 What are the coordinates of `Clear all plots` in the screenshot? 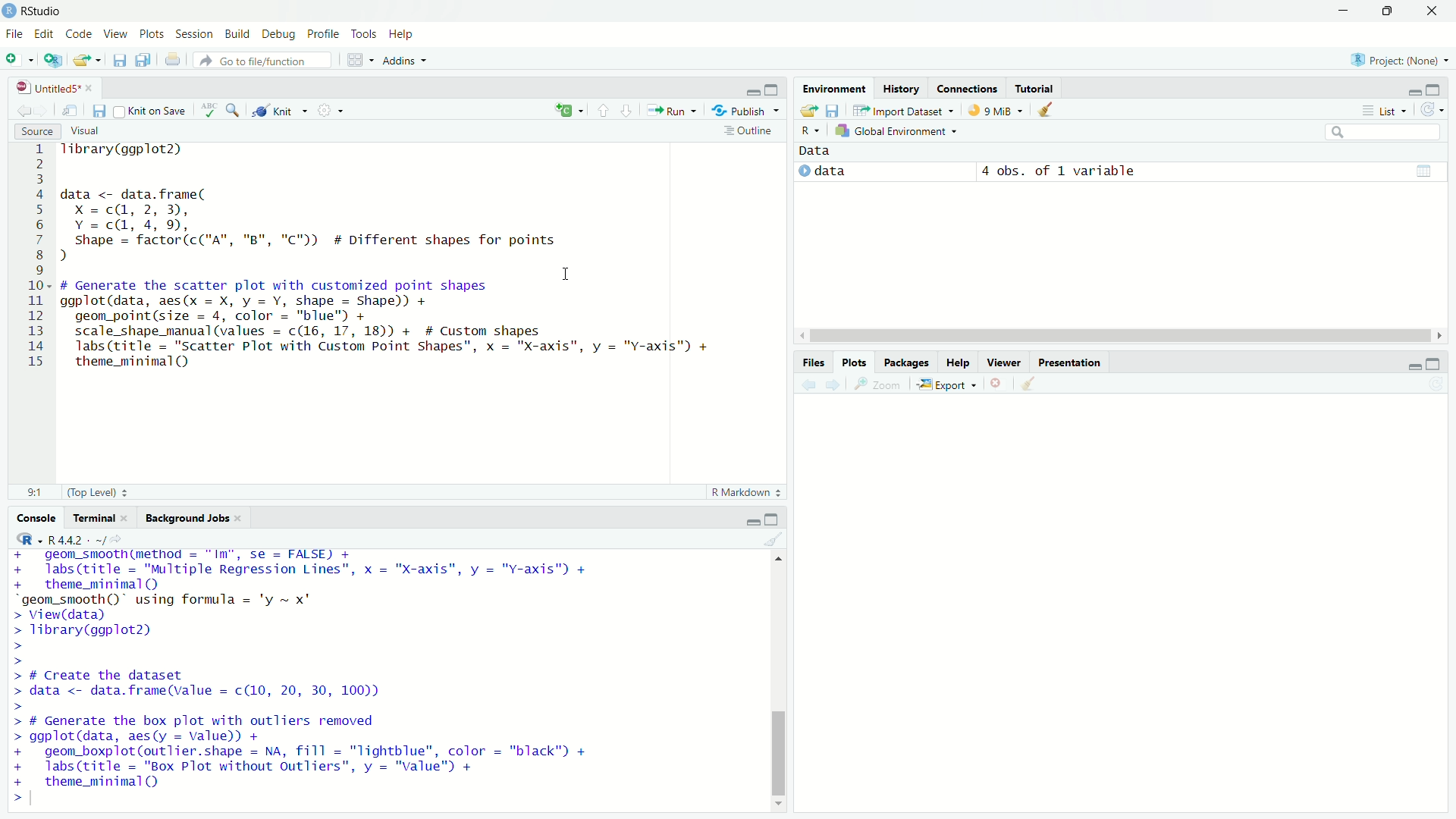 It's located at (1028, 383).